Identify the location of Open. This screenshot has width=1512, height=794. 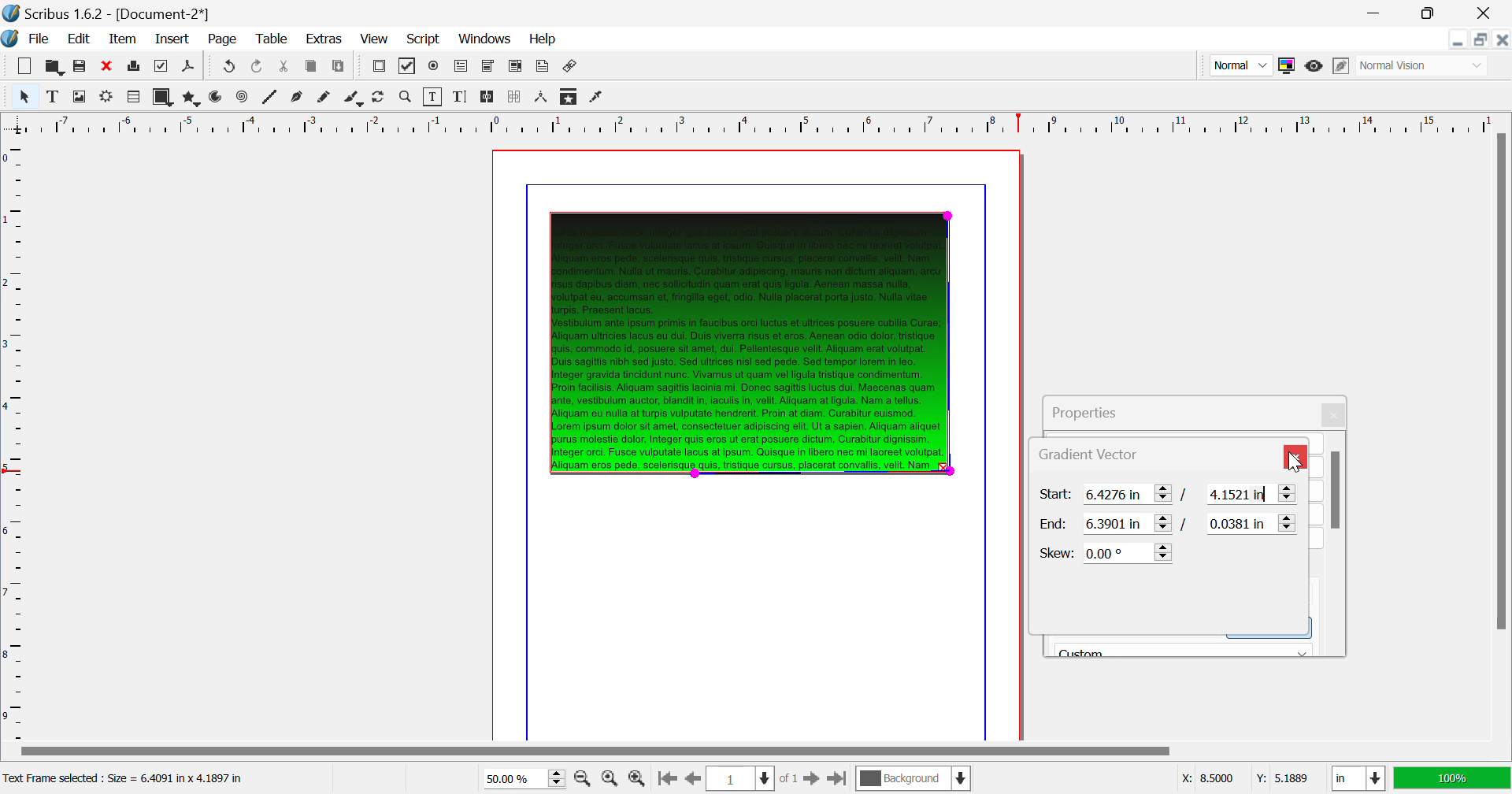
(54, 65).